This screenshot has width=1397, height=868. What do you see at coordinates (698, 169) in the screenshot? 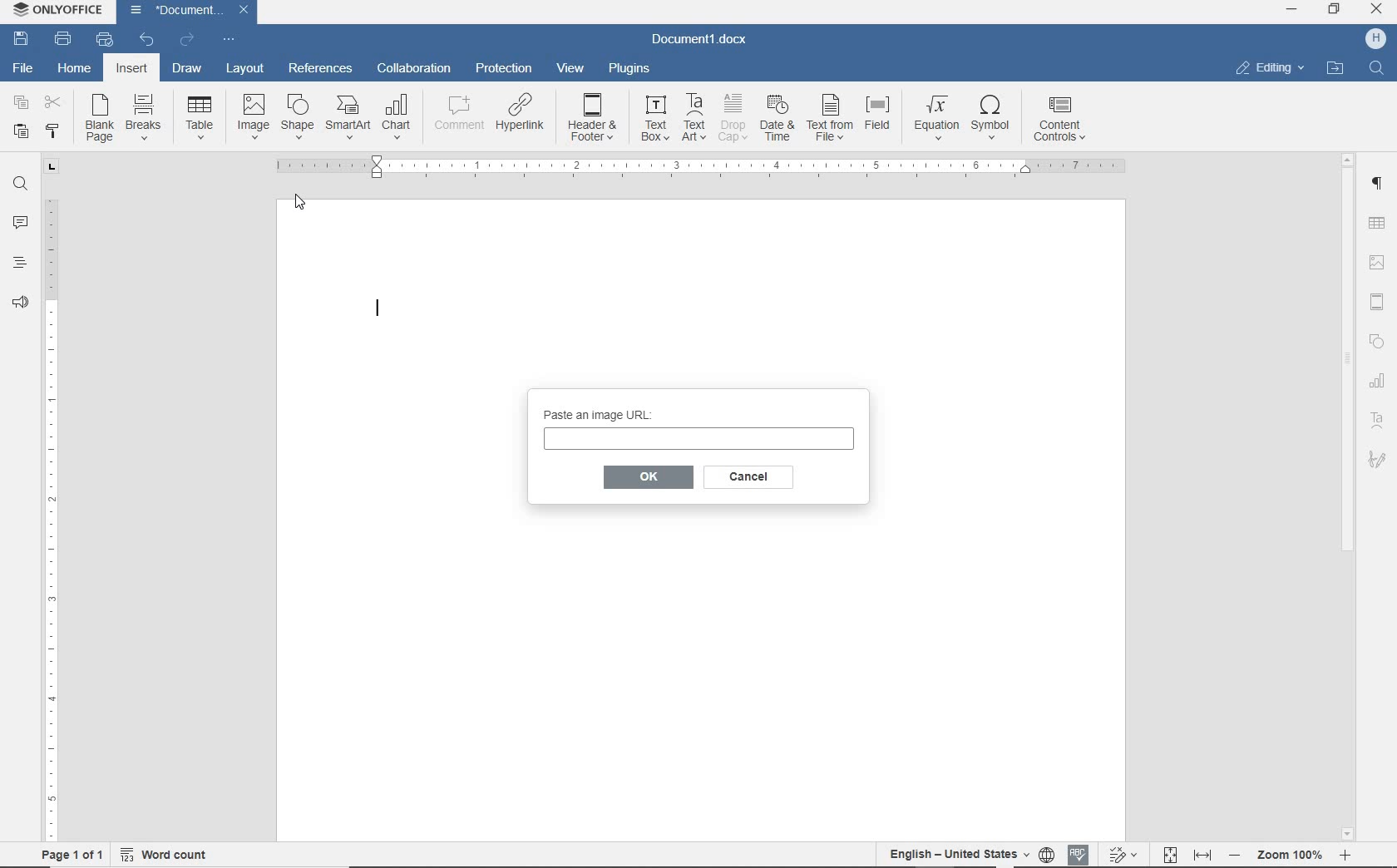
I see `ruler` at bounding box center [698, 169].